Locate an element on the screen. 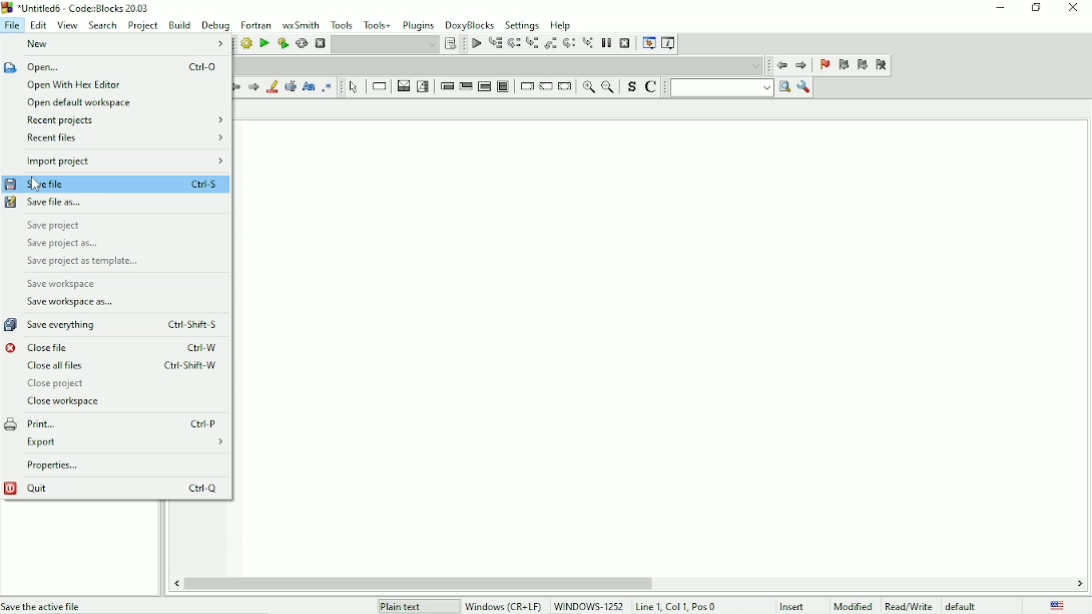 The image size is (1092, 614). Run search is located at coordinates (731, 88).